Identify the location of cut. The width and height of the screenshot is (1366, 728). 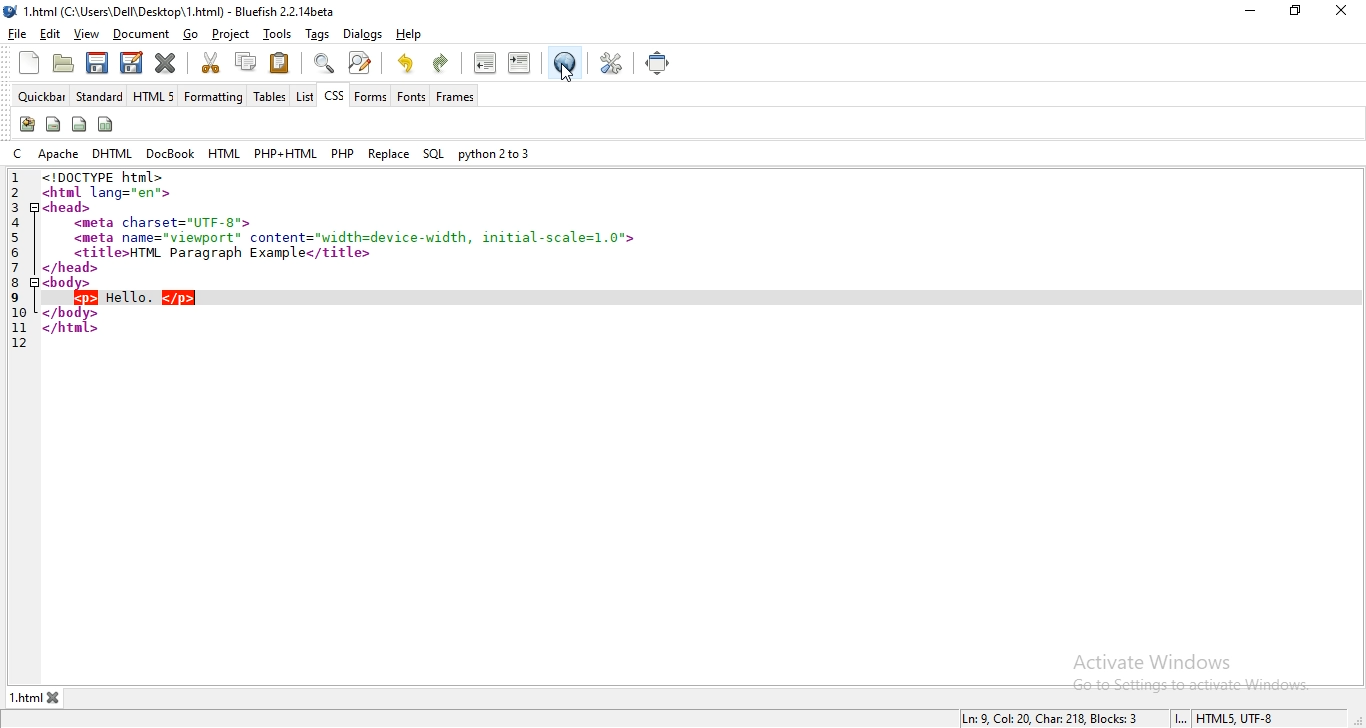
(211, 62).